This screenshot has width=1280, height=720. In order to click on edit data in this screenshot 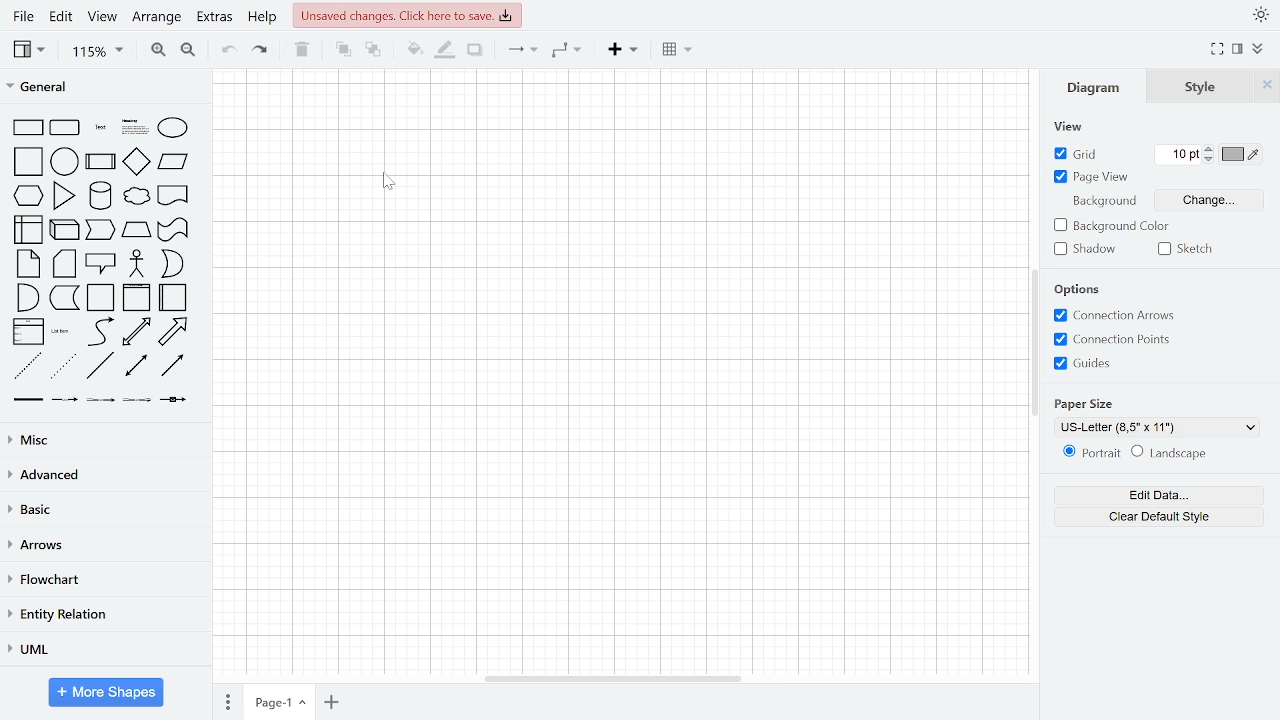, I will do `click(1158, 496)`.